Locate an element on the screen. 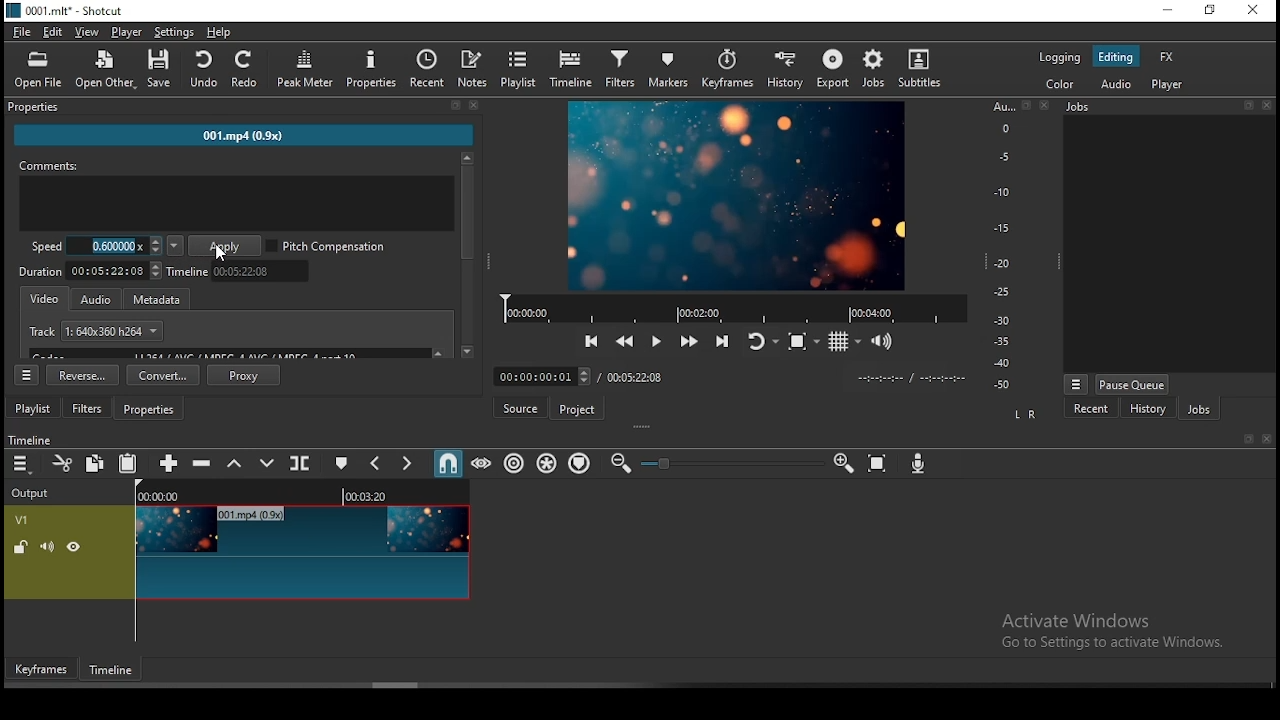  record audio is located at coordinates (918, 462).